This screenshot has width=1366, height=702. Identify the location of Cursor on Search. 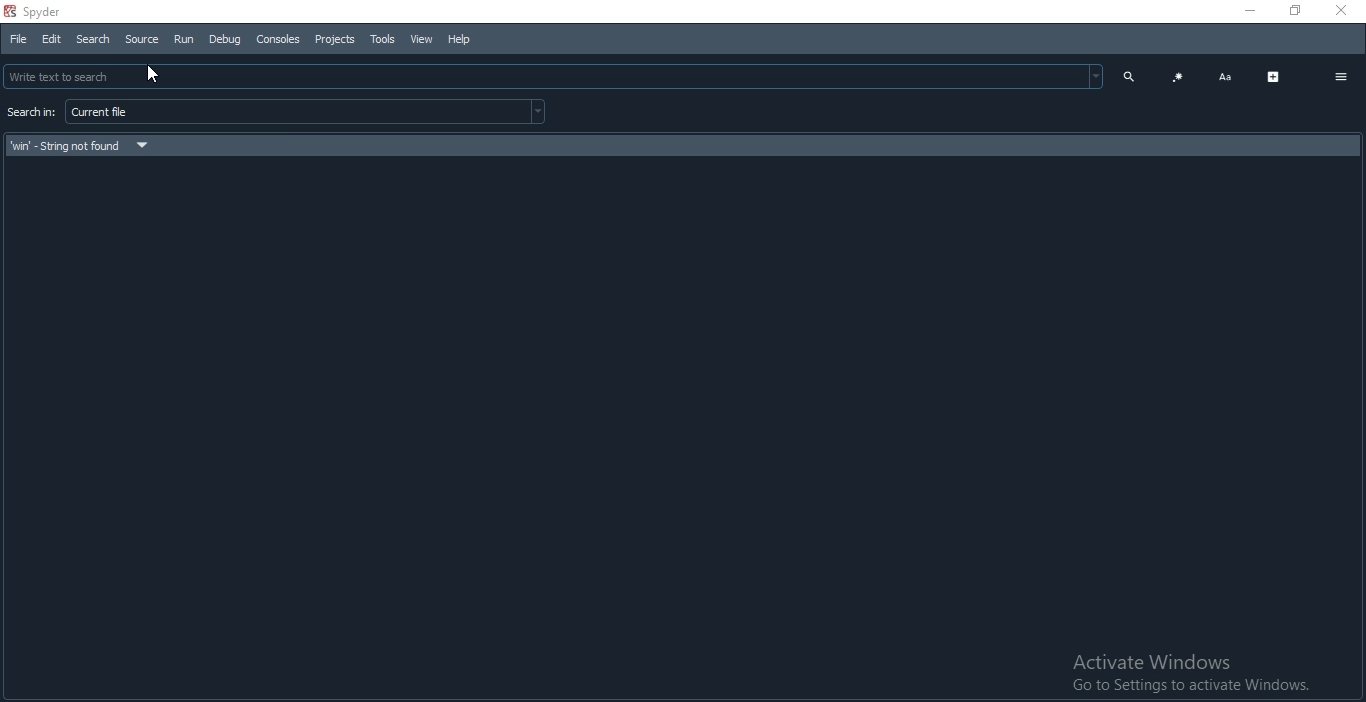
(156, 75).